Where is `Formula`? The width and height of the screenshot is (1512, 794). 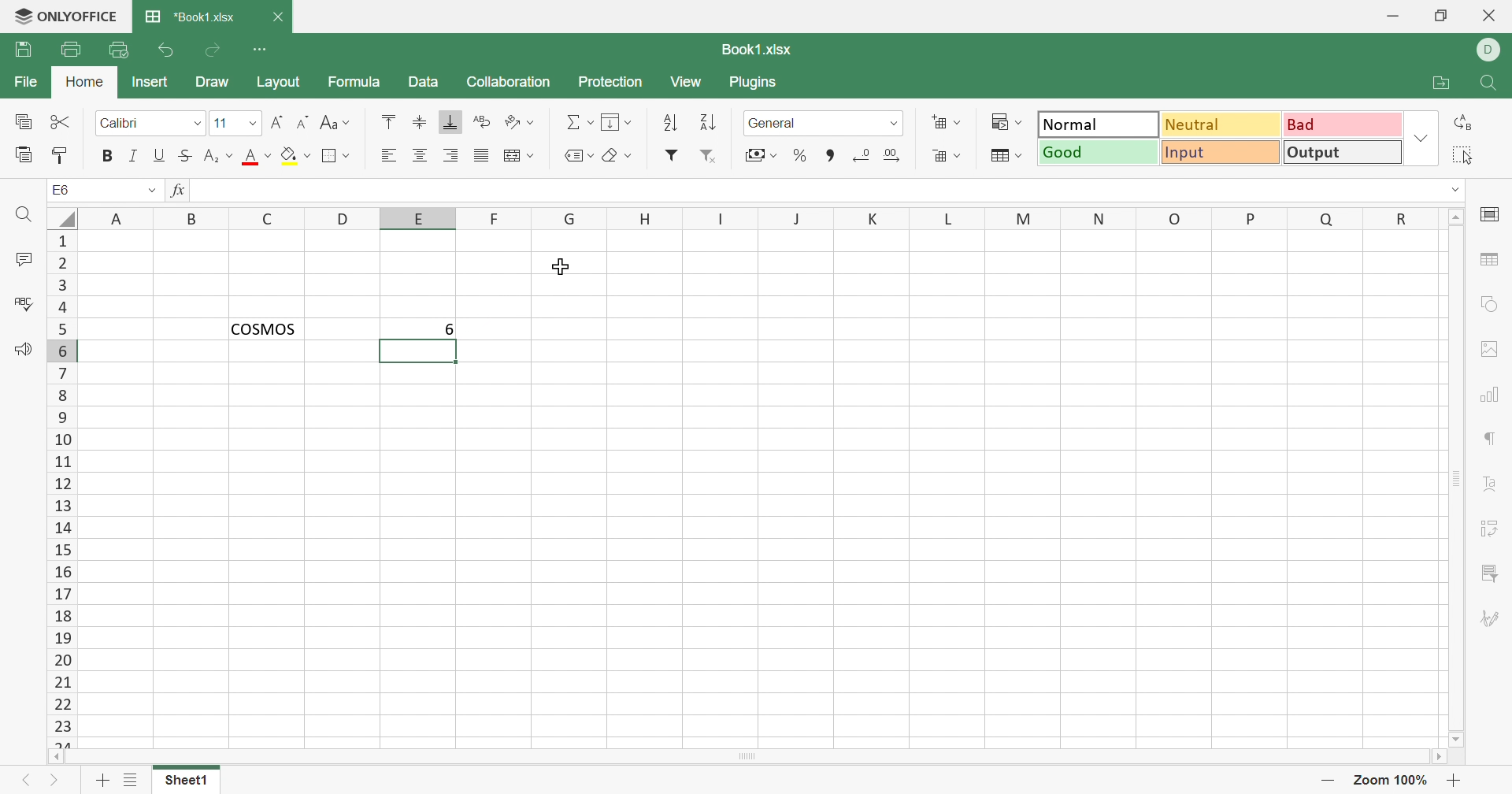 Formula is located at coordinates (353, 82).